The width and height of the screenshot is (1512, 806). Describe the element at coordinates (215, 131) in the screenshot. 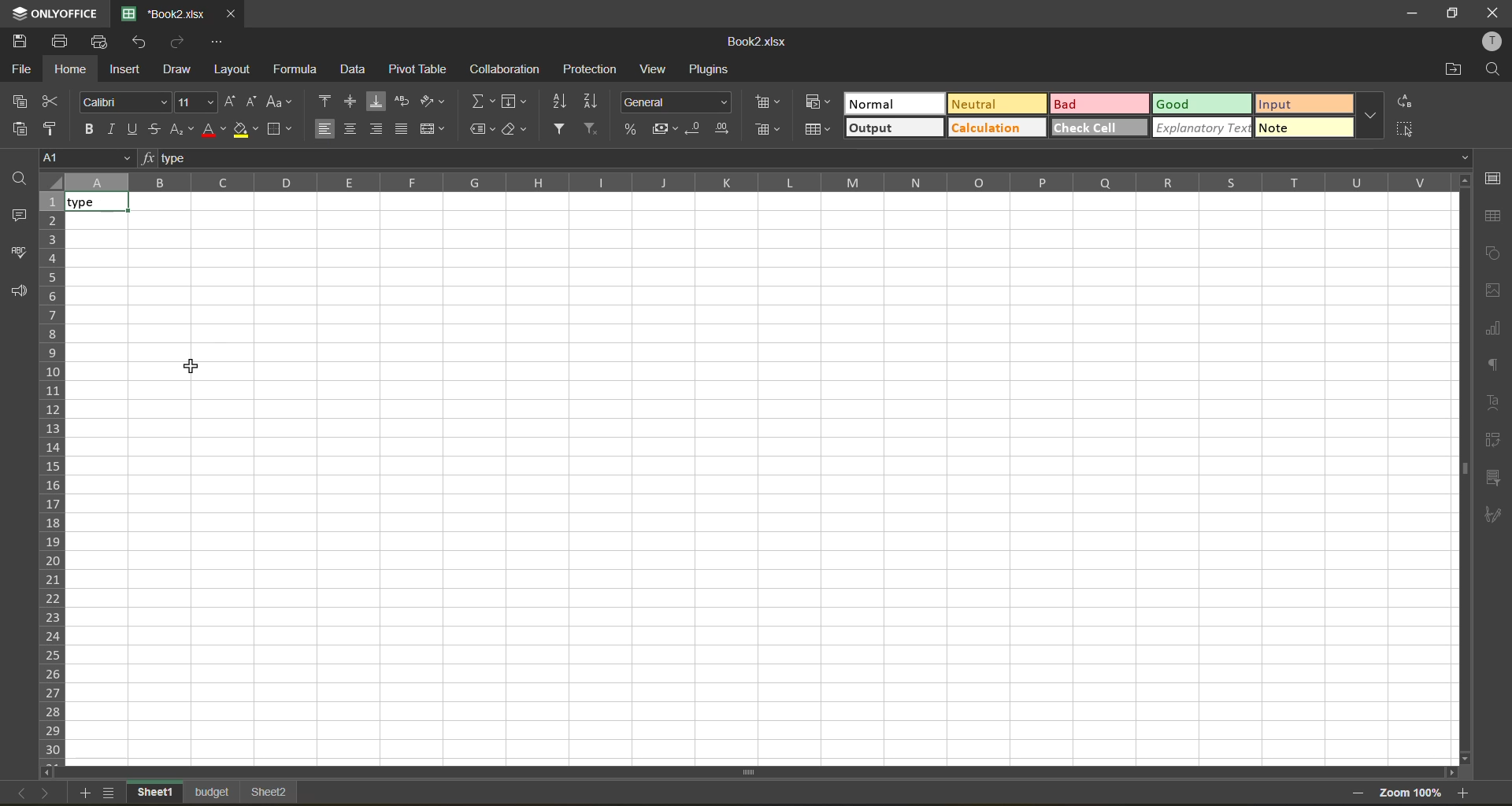

I see `font color` at that location.